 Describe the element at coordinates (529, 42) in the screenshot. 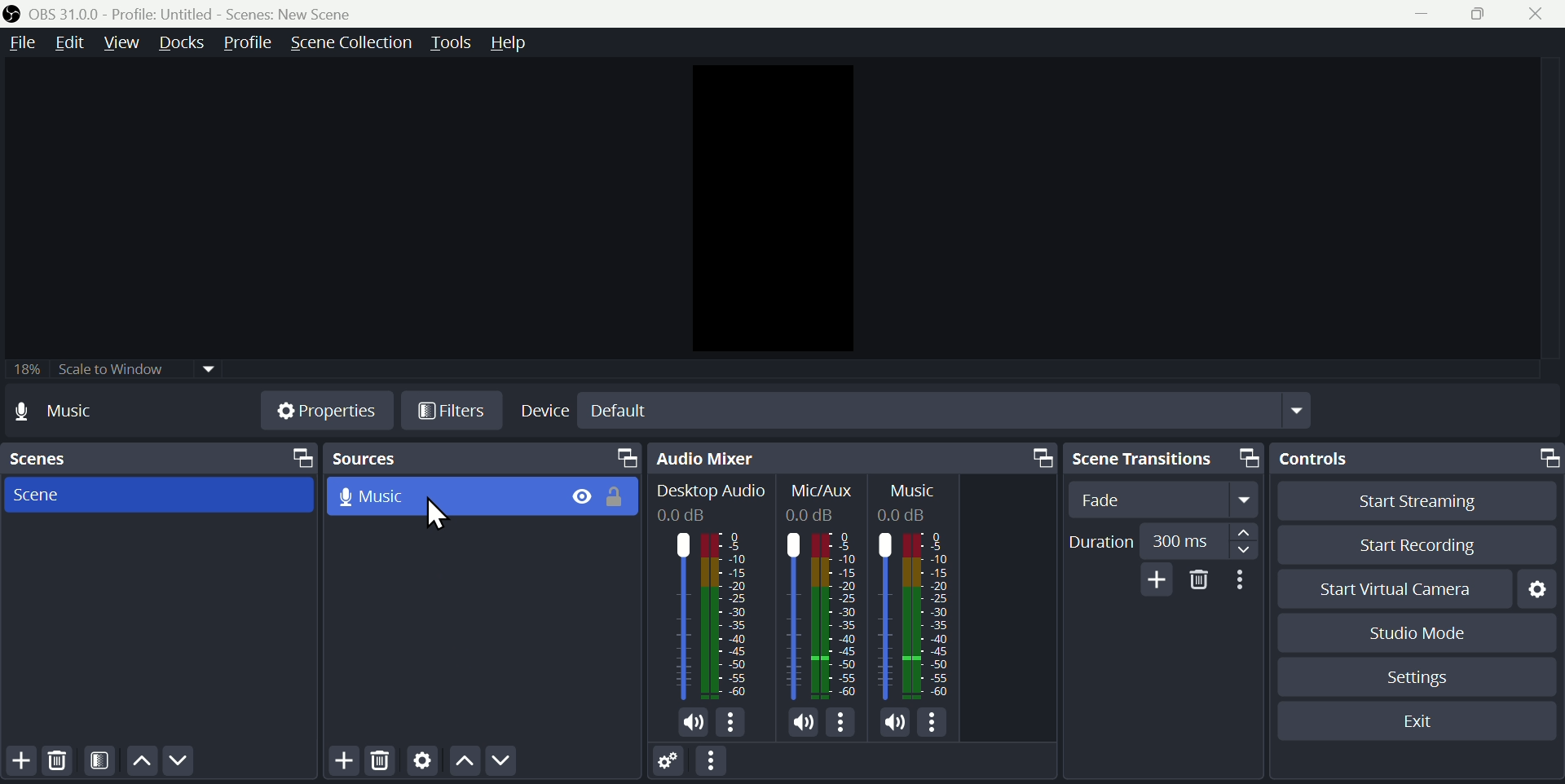

I see `help` at that location.